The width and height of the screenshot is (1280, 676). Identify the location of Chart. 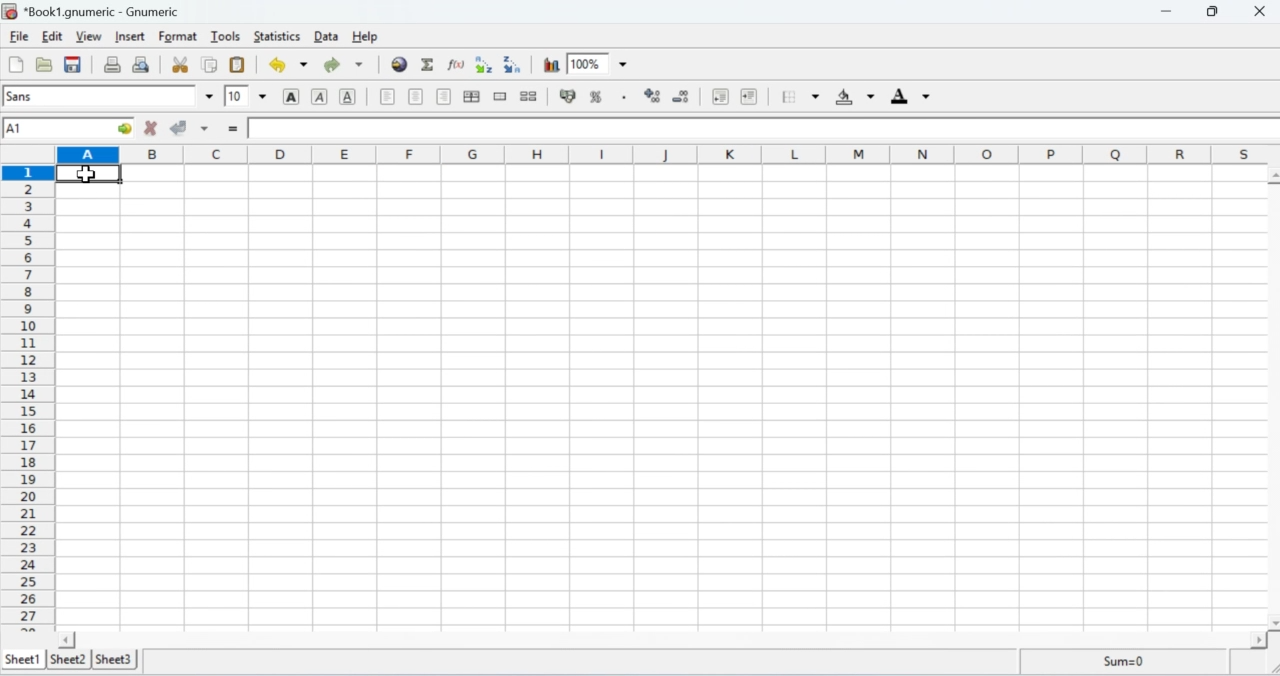
(549, 64).